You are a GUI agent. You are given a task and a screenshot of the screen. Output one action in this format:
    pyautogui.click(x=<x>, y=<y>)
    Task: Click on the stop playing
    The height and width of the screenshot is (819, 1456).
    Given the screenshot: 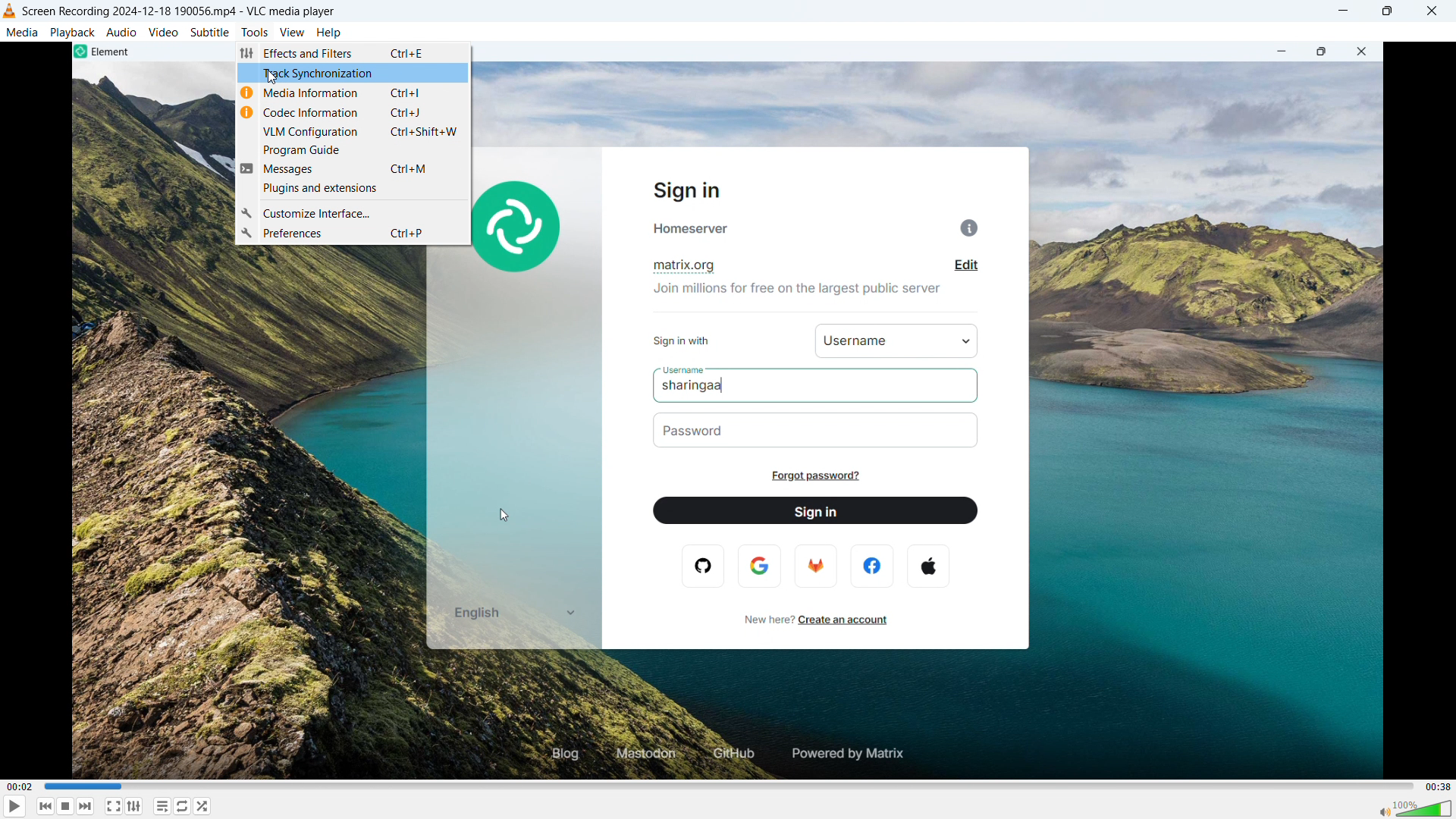 What is the action you would take?
    pyautogui.click(x=65, y=806)
    